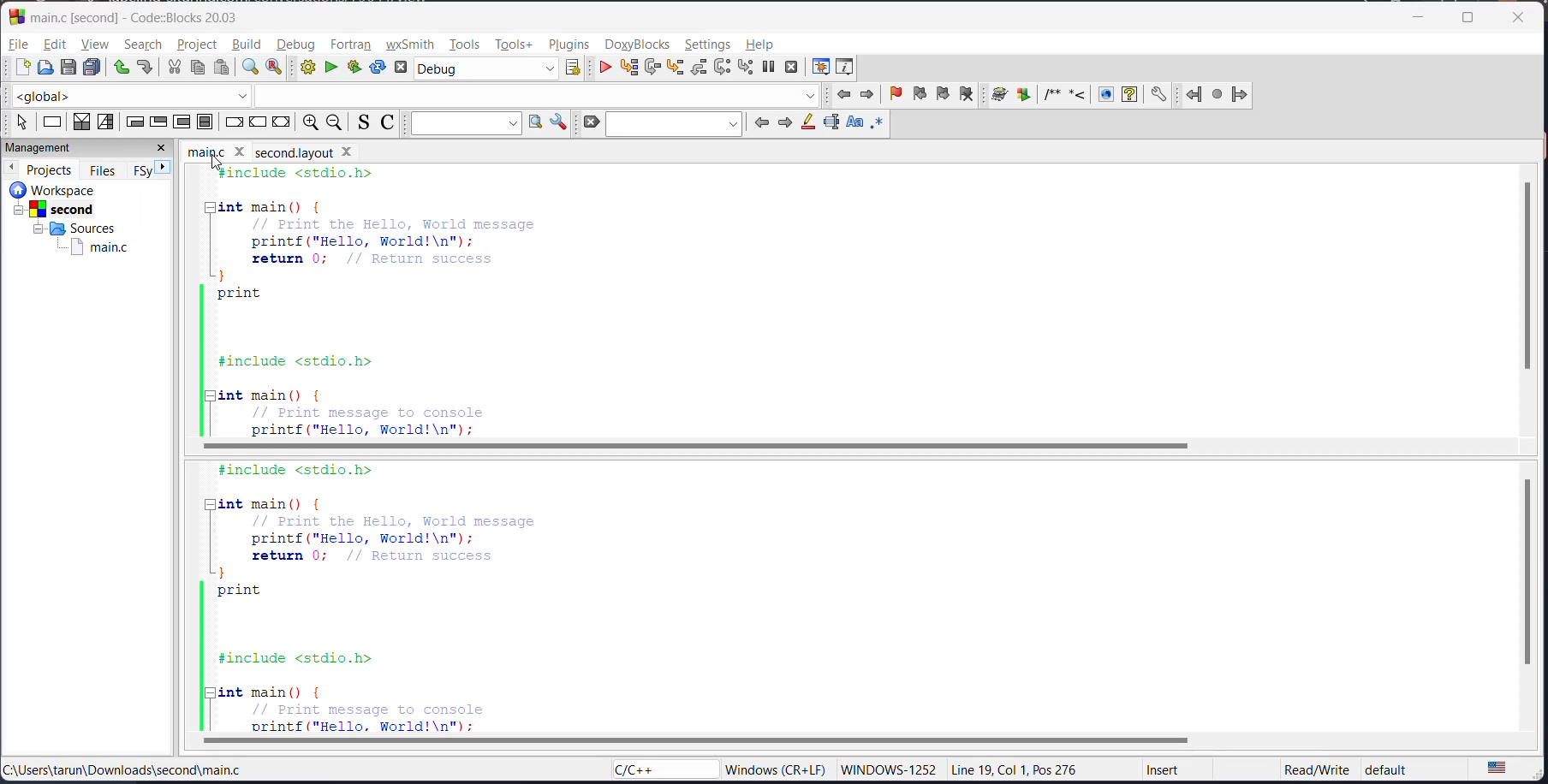 This screenshot has height=784, width=1548. Describe the element at coordinates (832, 123) in the screenshot. I see `selected text` at that location.